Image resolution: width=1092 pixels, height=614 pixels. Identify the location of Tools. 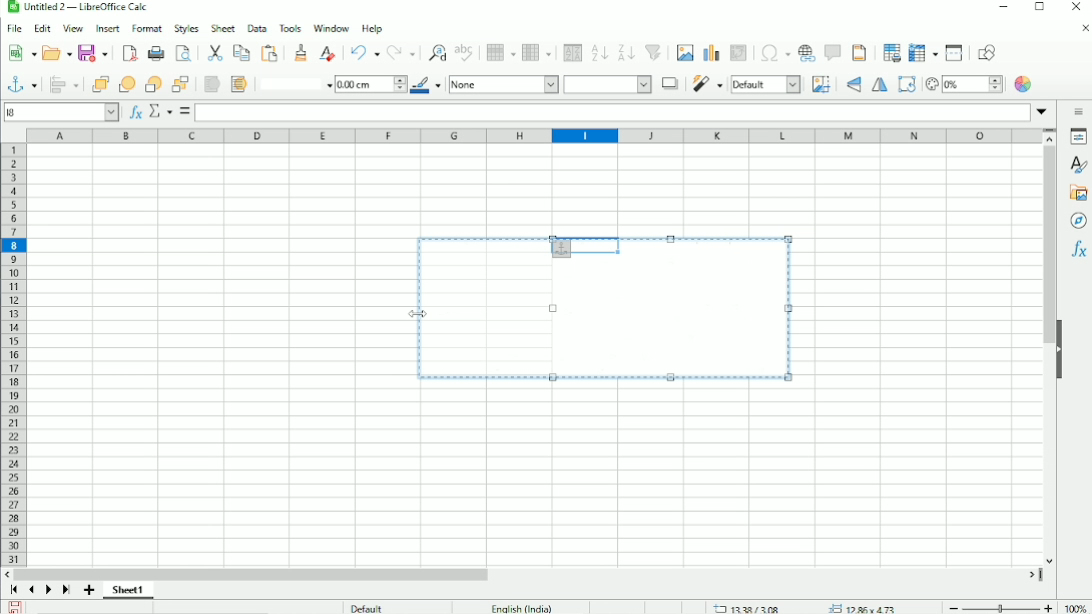
(289, 27).